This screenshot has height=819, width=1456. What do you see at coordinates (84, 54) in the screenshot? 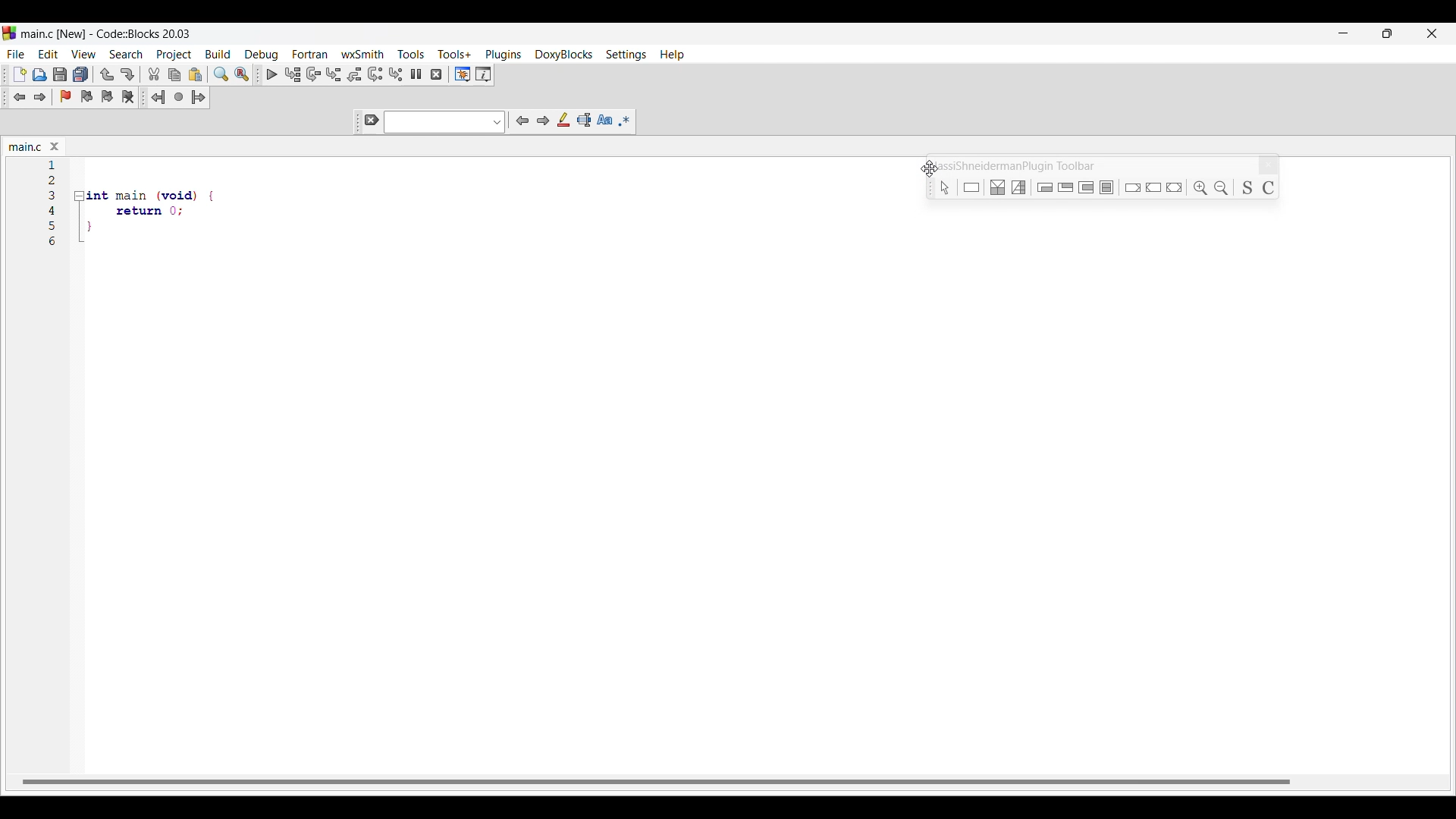
I see `View menu` at bounding box center [84, 54].